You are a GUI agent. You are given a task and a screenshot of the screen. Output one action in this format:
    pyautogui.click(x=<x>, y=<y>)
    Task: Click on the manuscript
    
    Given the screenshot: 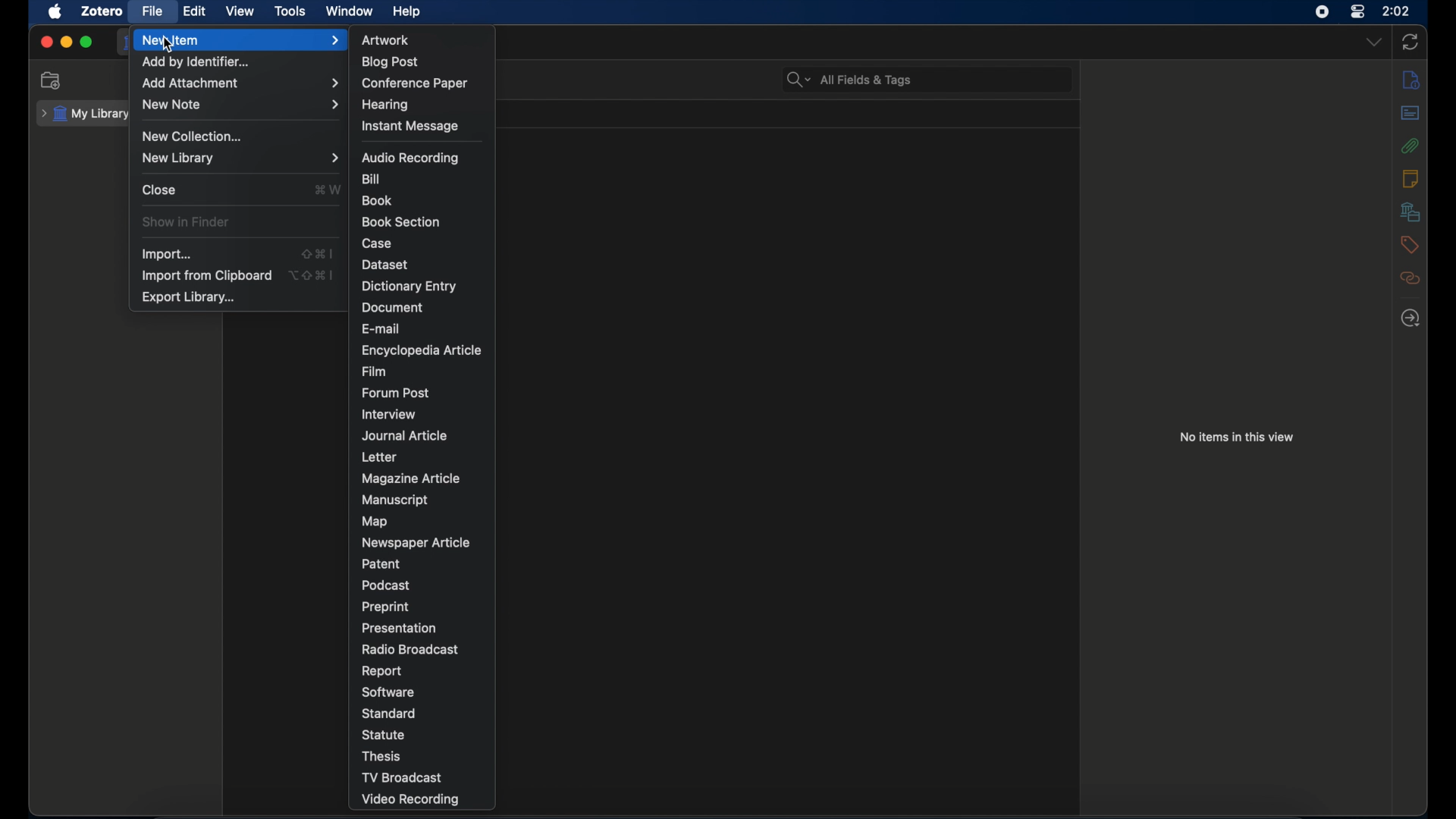 What is the action you would take?
    pyautogui.click(x=393, y=499)
    